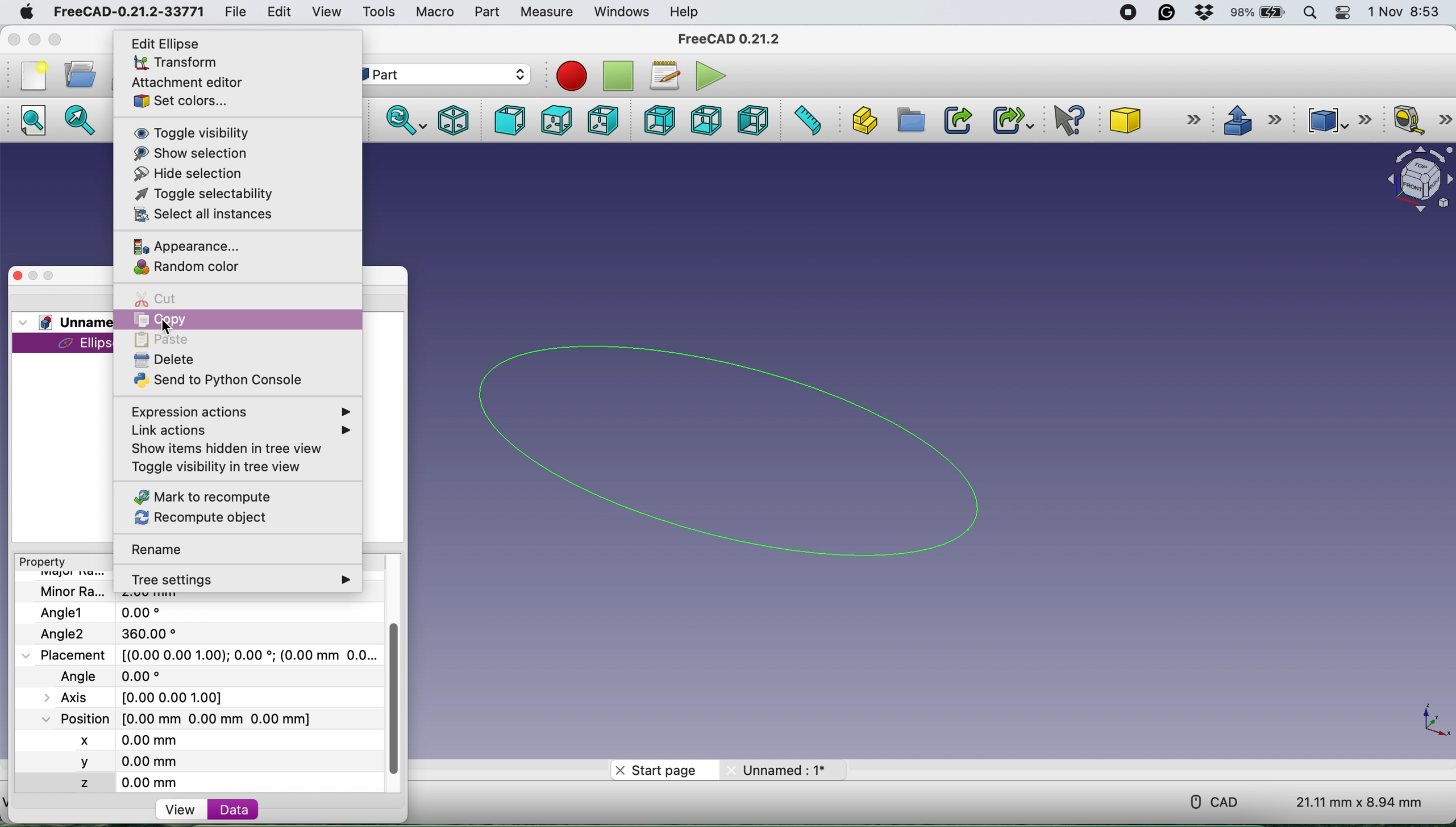 This screenshot has width=1456, height=827. Describe the element at coordinates (1419, 120) in the screenshot. I see `measure linear` at that location.